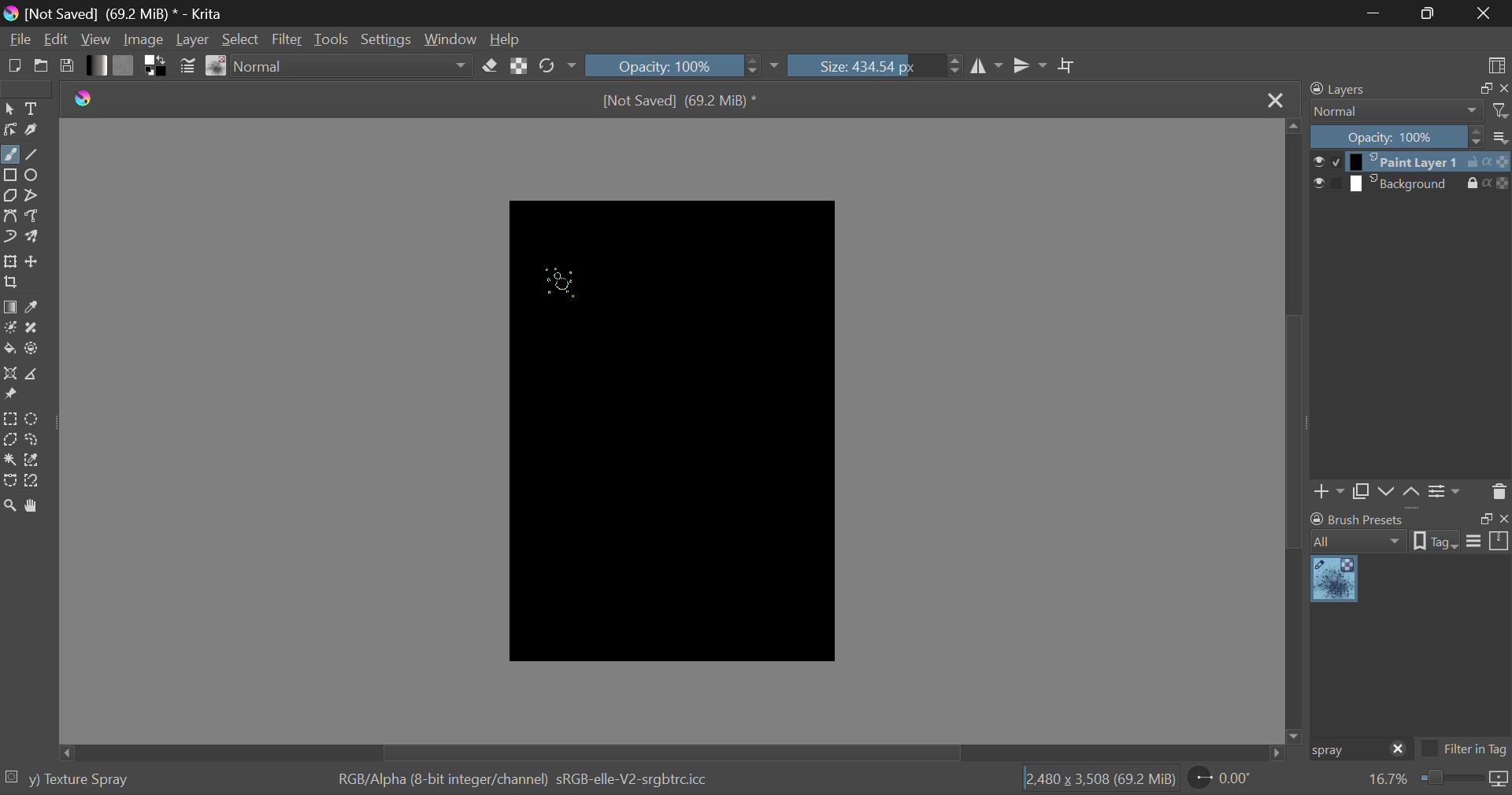 This screenshot has height=795, width=1512. I want to click on Choose Workspace, so click(1496, 65).